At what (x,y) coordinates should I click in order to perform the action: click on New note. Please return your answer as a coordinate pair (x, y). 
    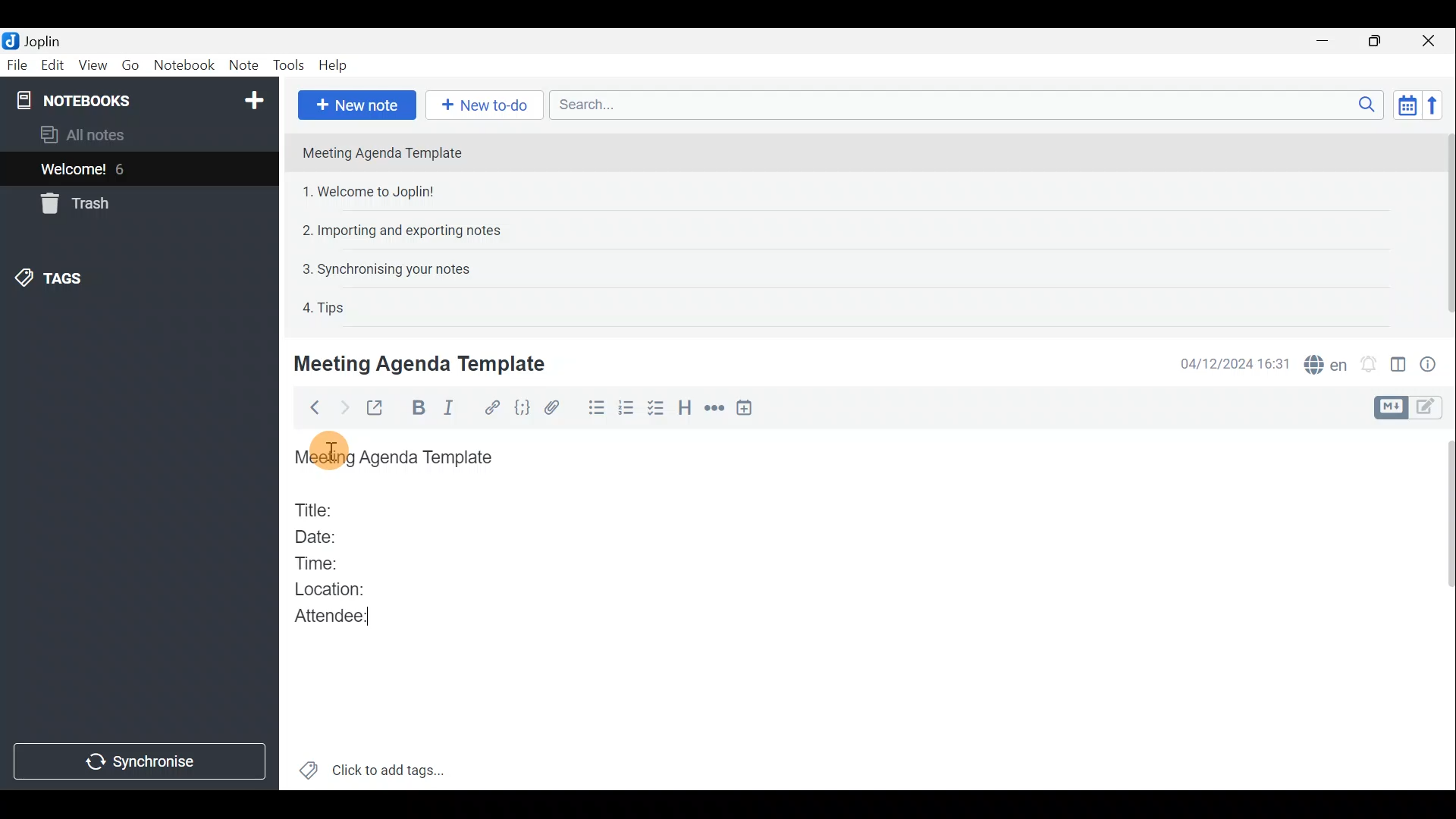
    Looking at the image, I should click on (357, 105).